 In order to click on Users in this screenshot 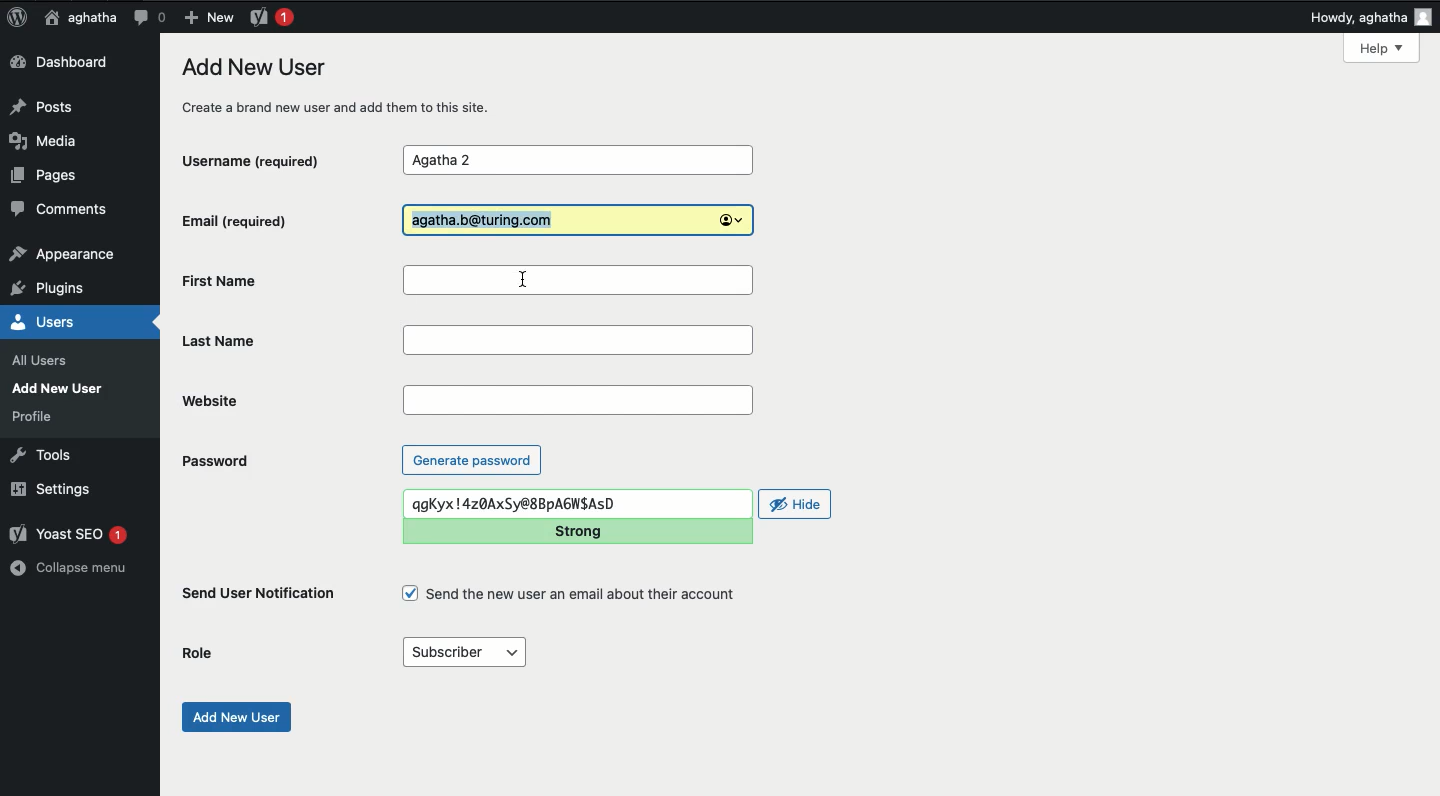, I will do `click(64, 322)`.